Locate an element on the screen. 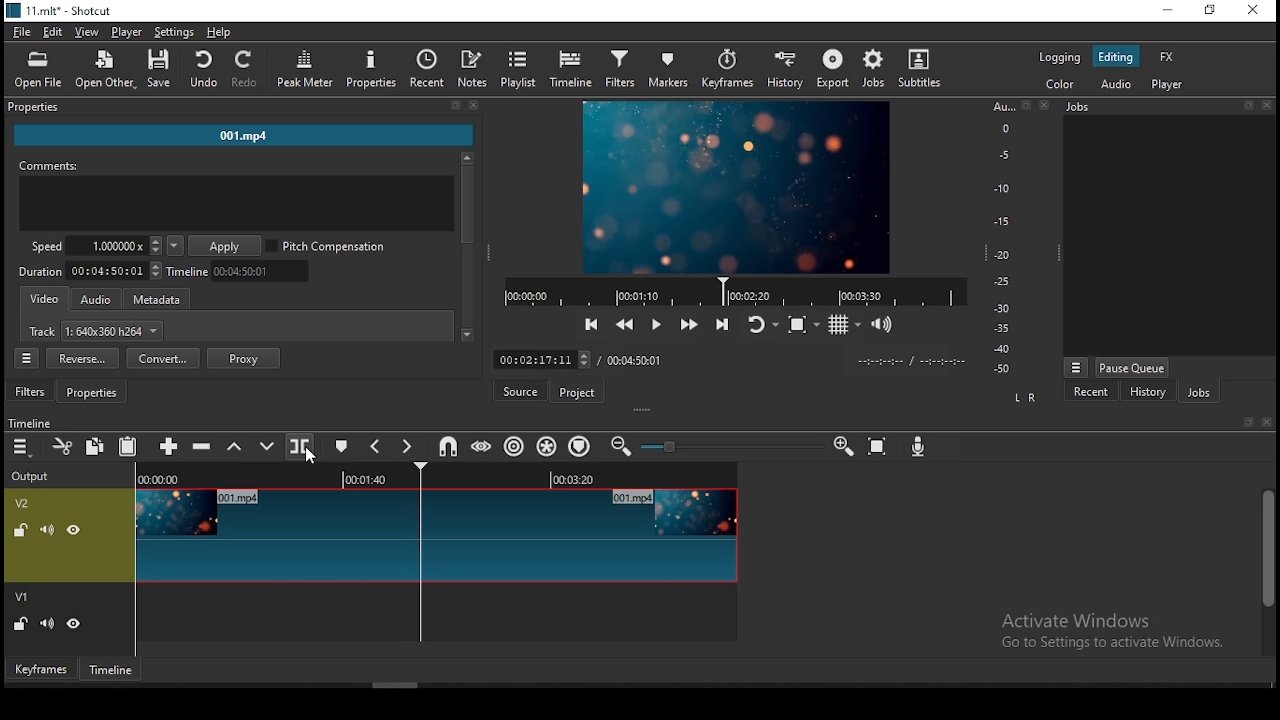  scroll bar is located at coordinates (1266, 570).